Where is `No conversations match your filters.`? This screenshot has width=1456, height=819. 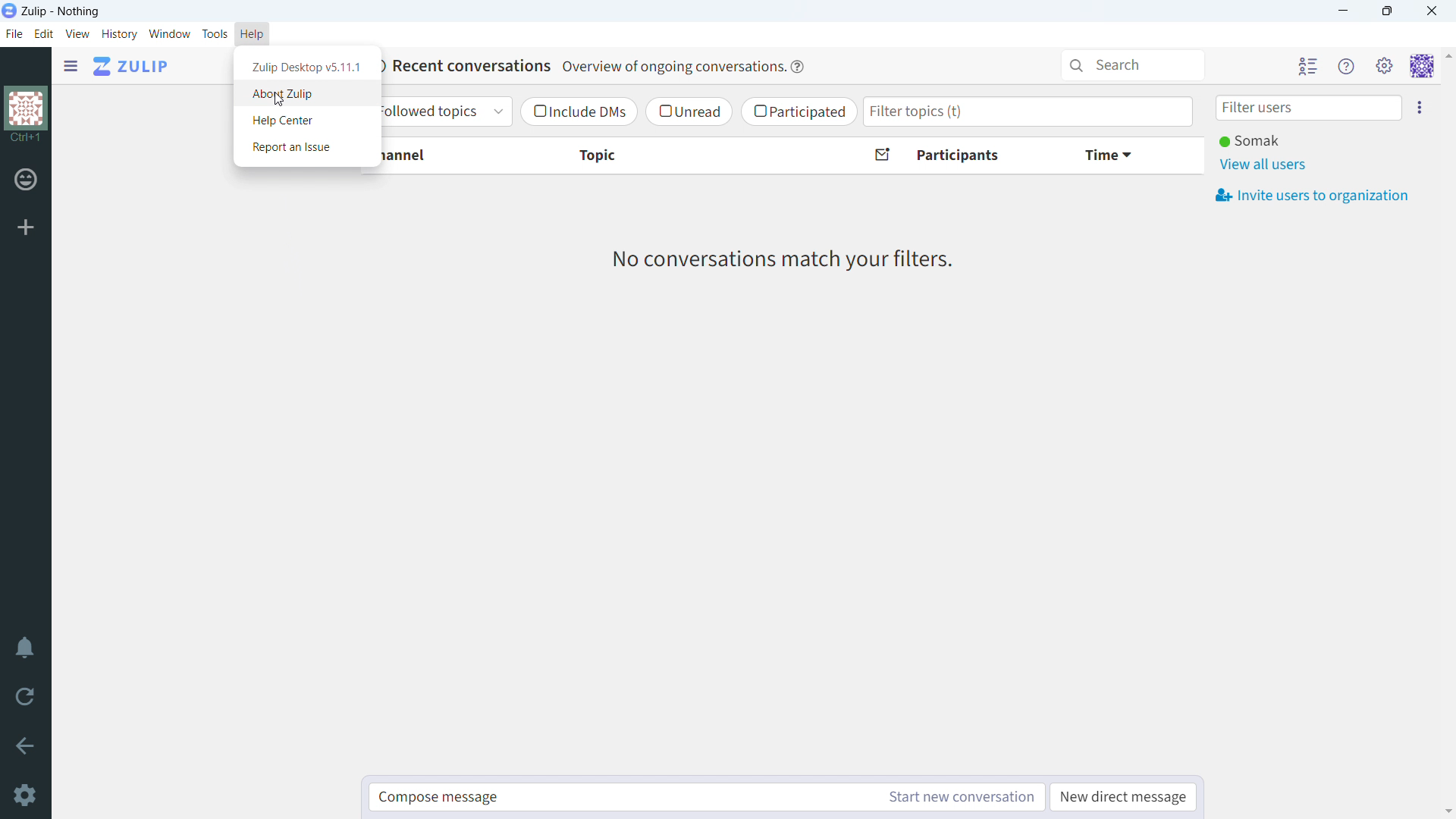
No conversations match your filters. is located at coordinates (789, 262).